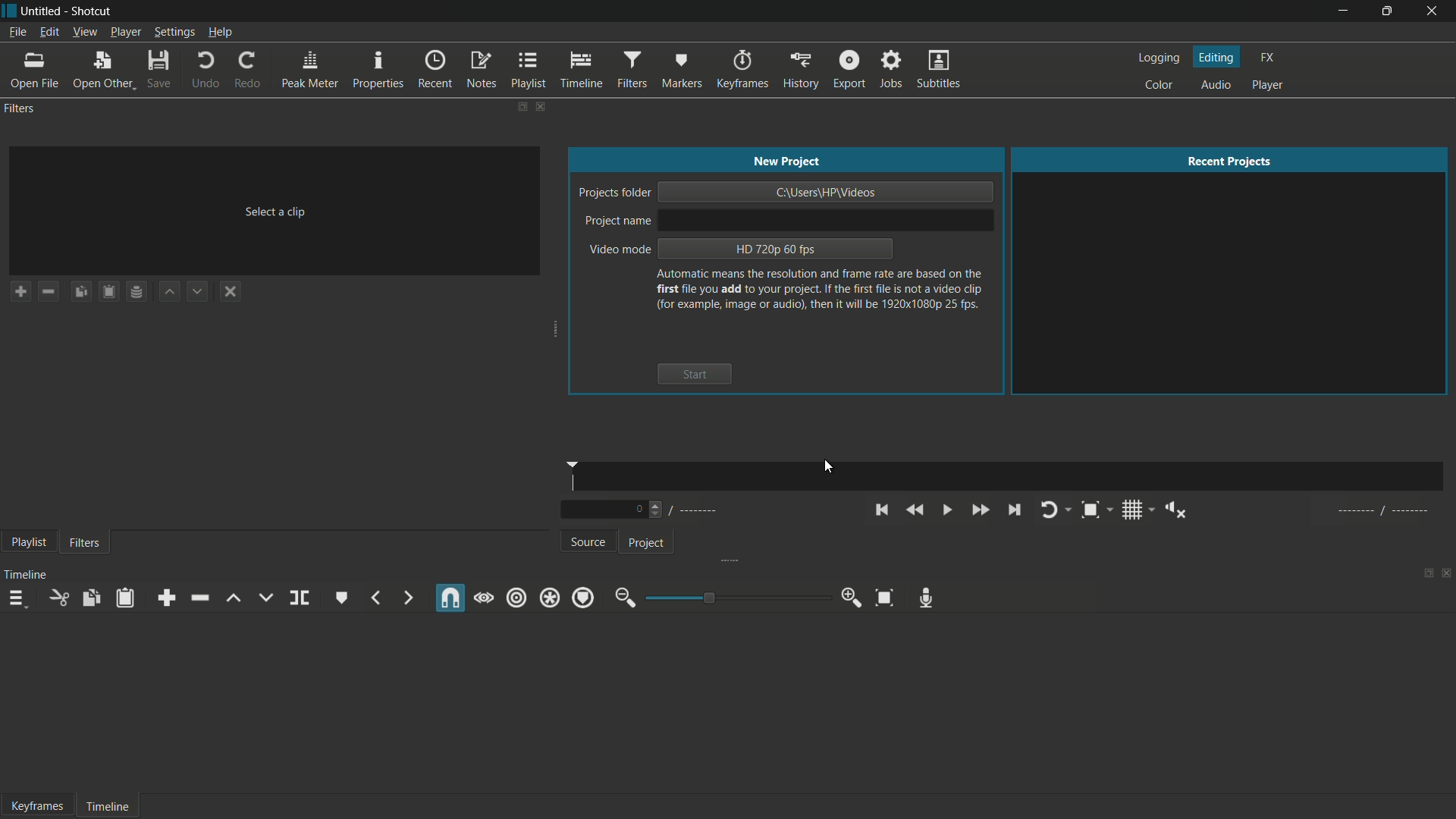  Describe the element at coordinates (265, 598) in the screenshot. I see `overwrite` at that location.